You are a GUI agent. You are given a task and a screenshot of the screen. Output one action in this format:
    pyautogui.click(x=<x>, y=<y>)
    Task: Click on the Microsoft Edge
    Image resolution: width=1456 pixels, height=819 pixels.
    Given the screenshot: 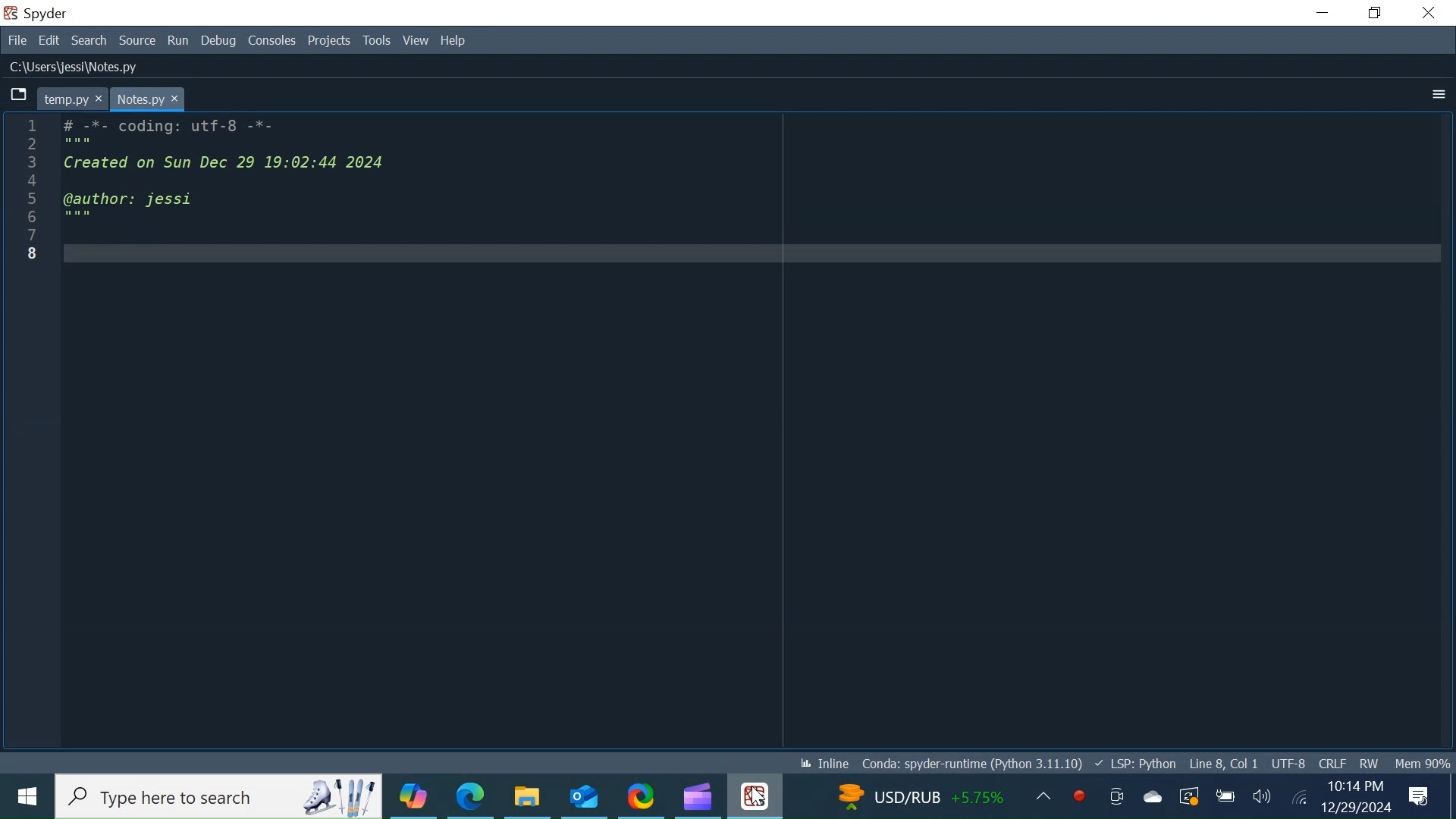 What is the action you would take?
    pyautogui.click(x=472, y=797)
    